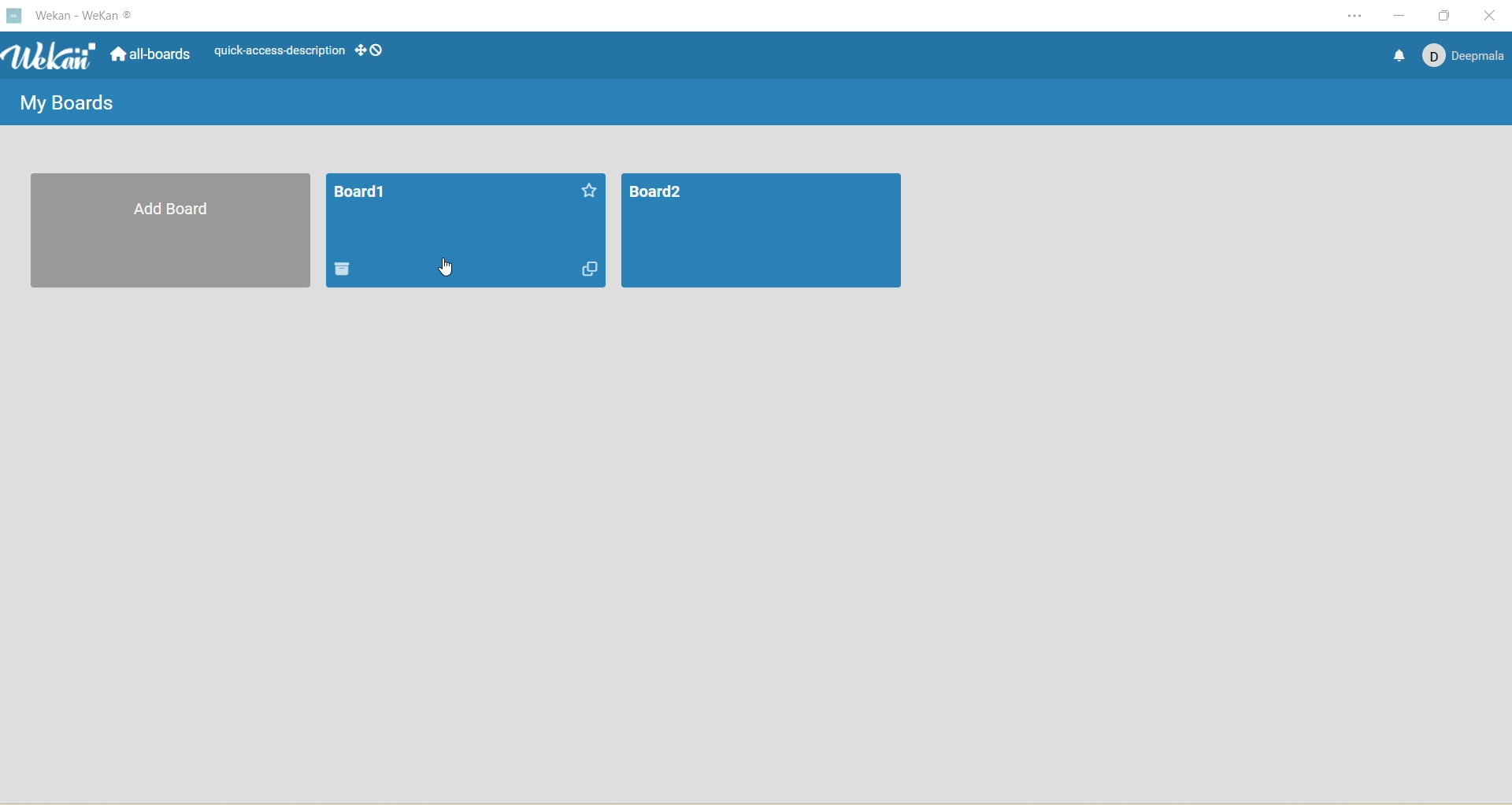 This screenshot has width=1512, height=805. What do you see at coordinates (588, 189) in the screenshot?
I see `favorite` at bounding box center [588, 189].